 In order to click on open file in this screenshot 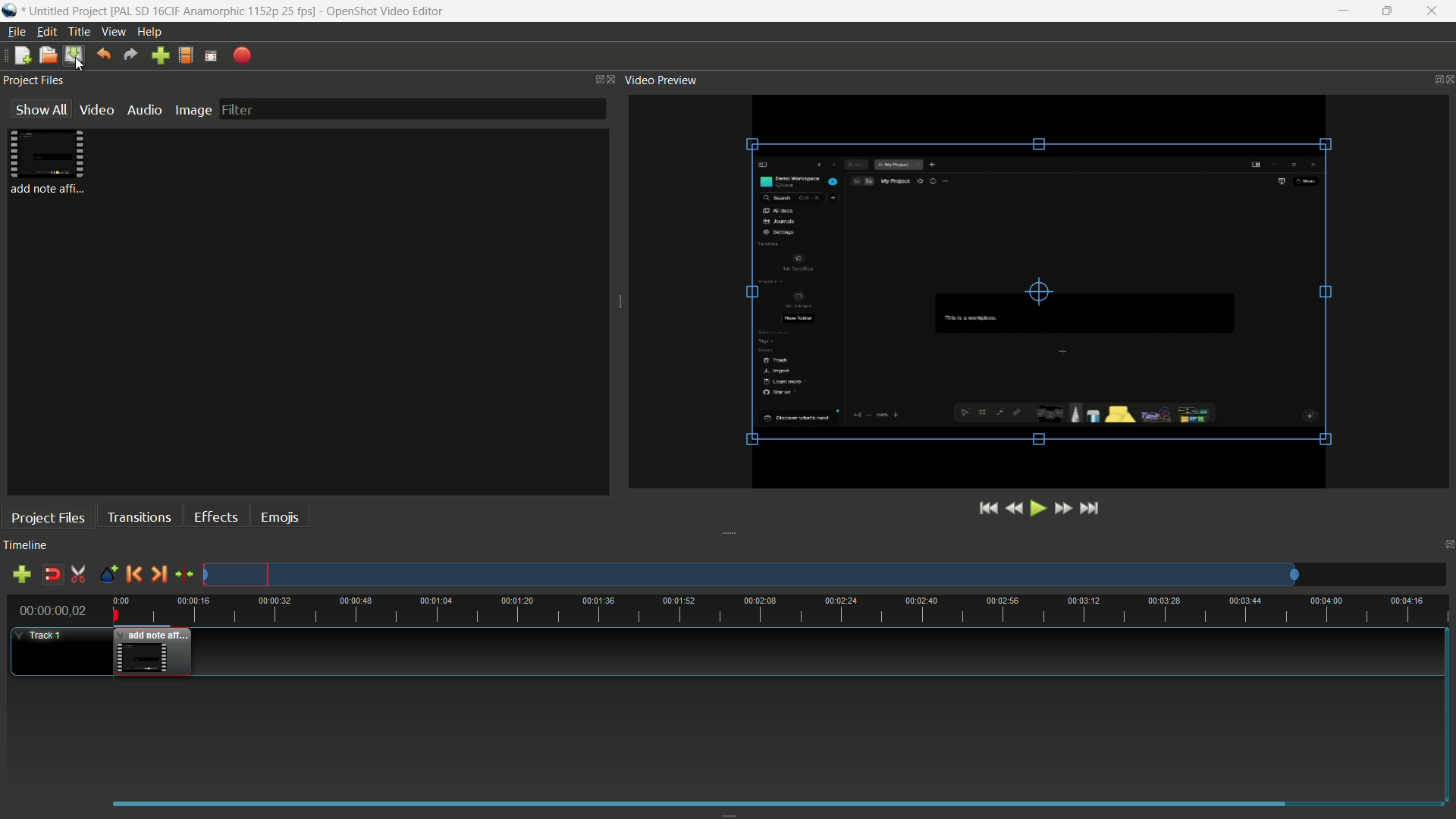, I will do `click(46, 55)`.